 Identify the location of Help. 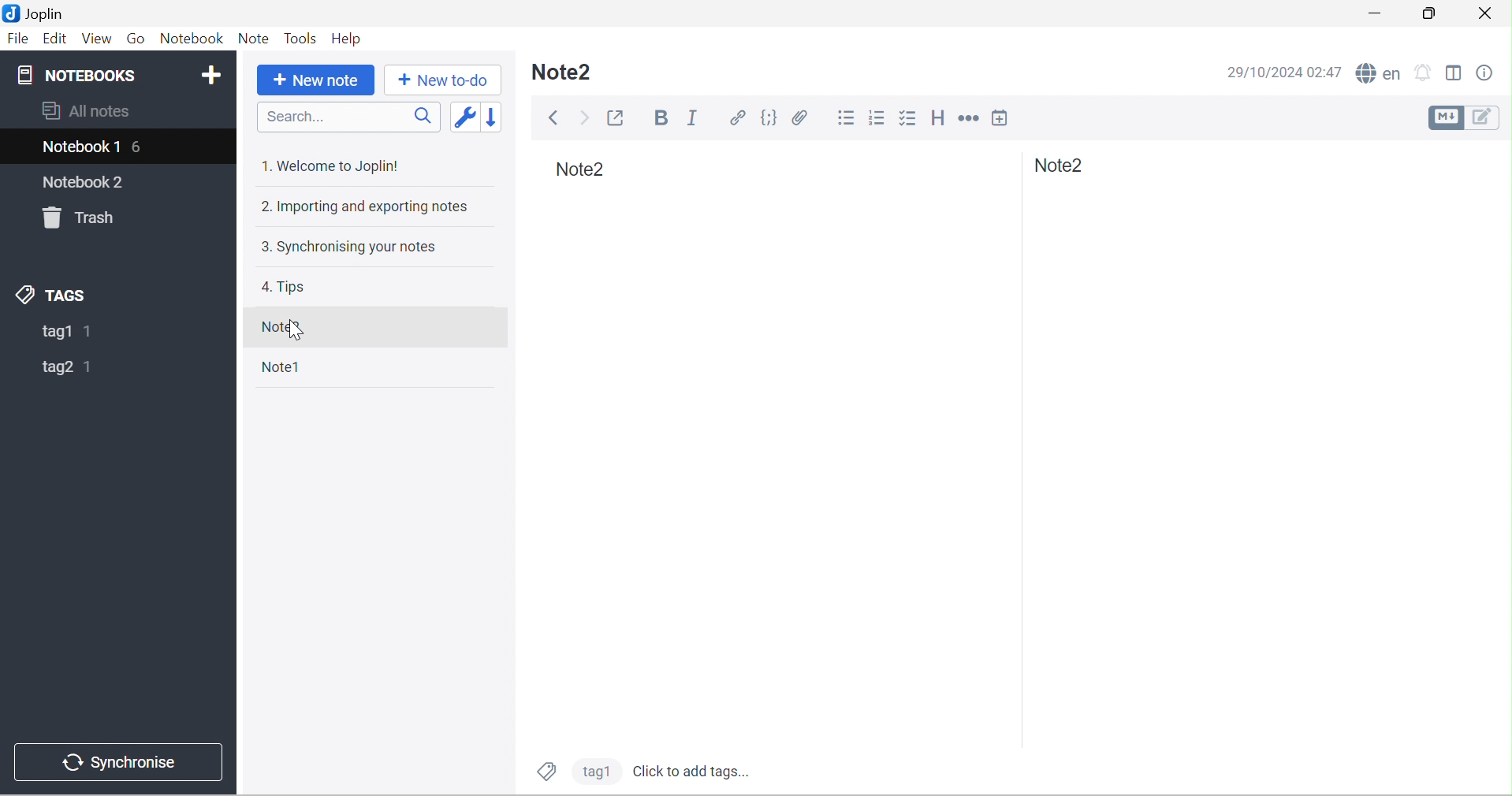
(352, 40).